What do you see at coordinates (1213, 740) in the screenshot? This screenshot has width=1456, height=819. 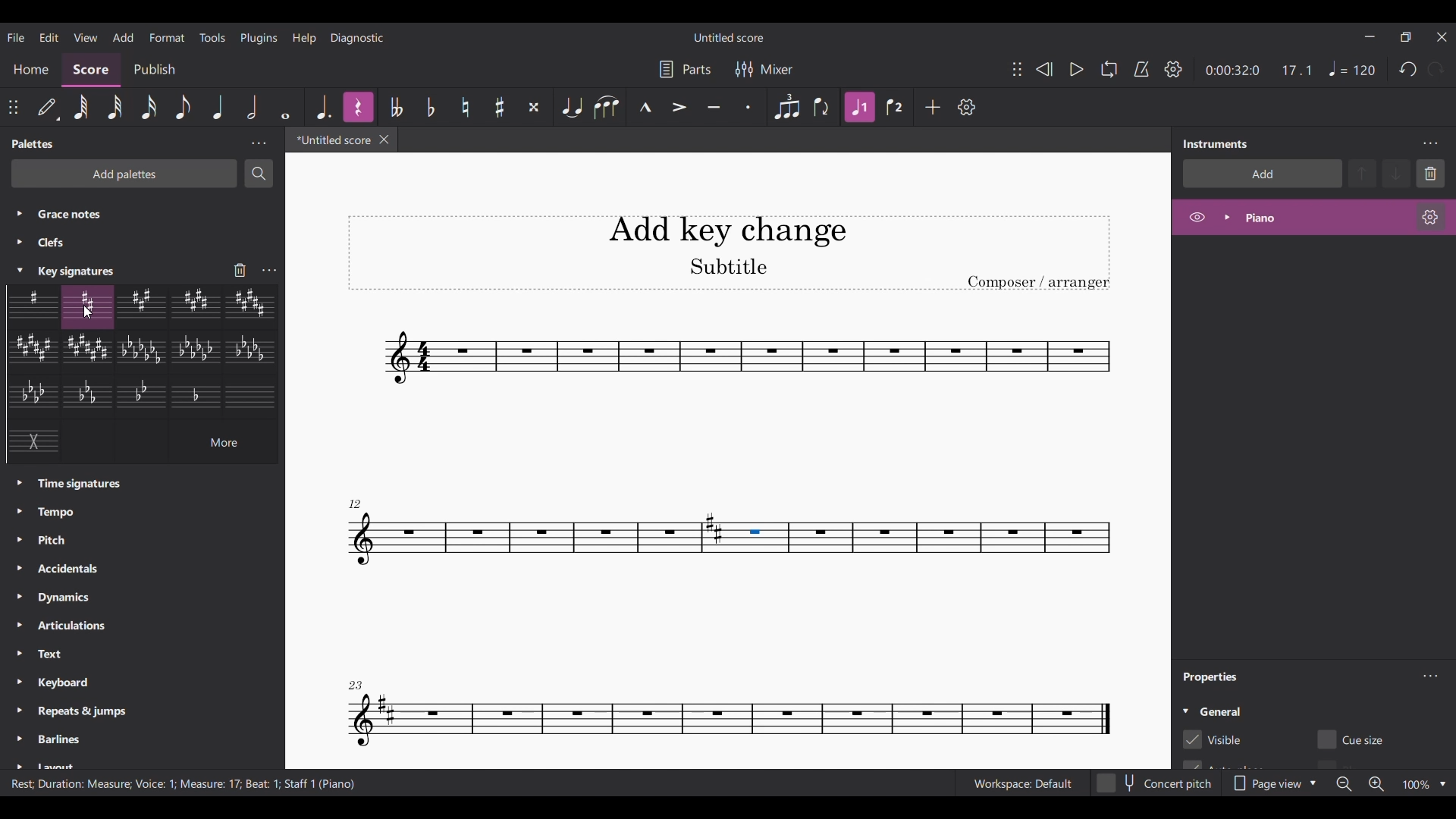 I see `Cue for visible` at bounding box center [1213, 740].